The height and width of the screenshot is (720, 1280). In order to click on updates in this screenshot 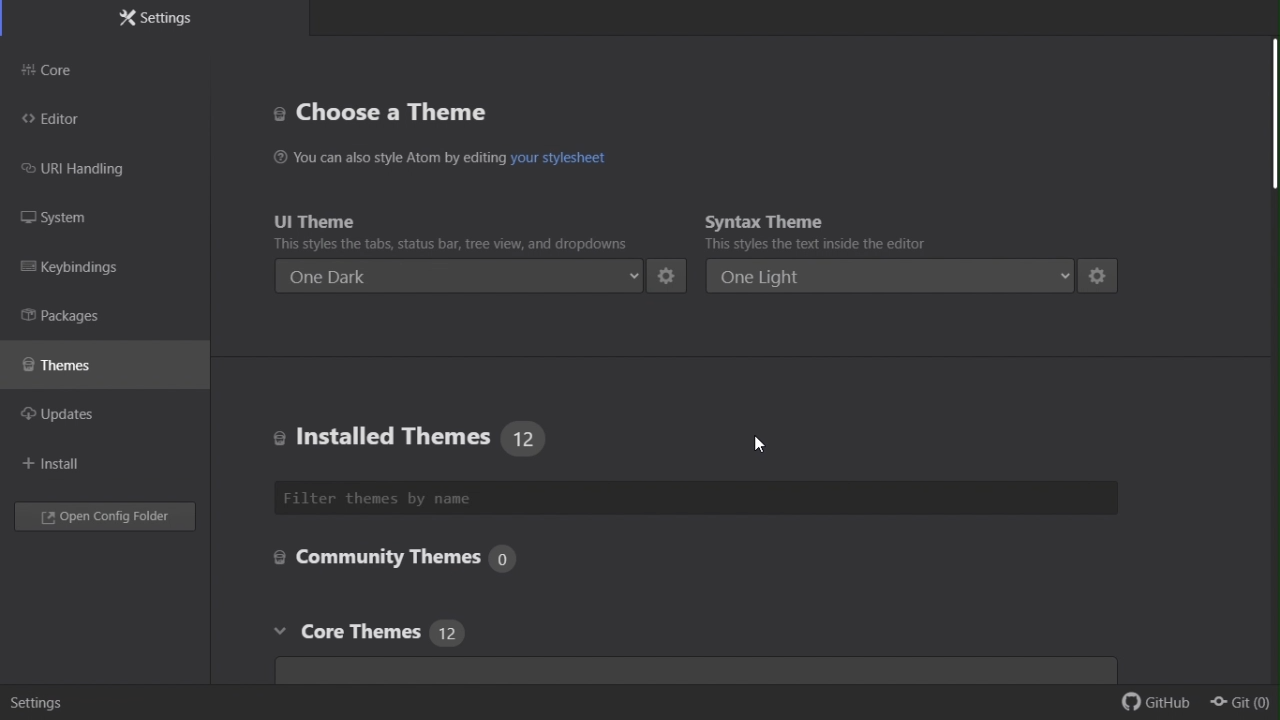, I will do `click(81, 419)`.